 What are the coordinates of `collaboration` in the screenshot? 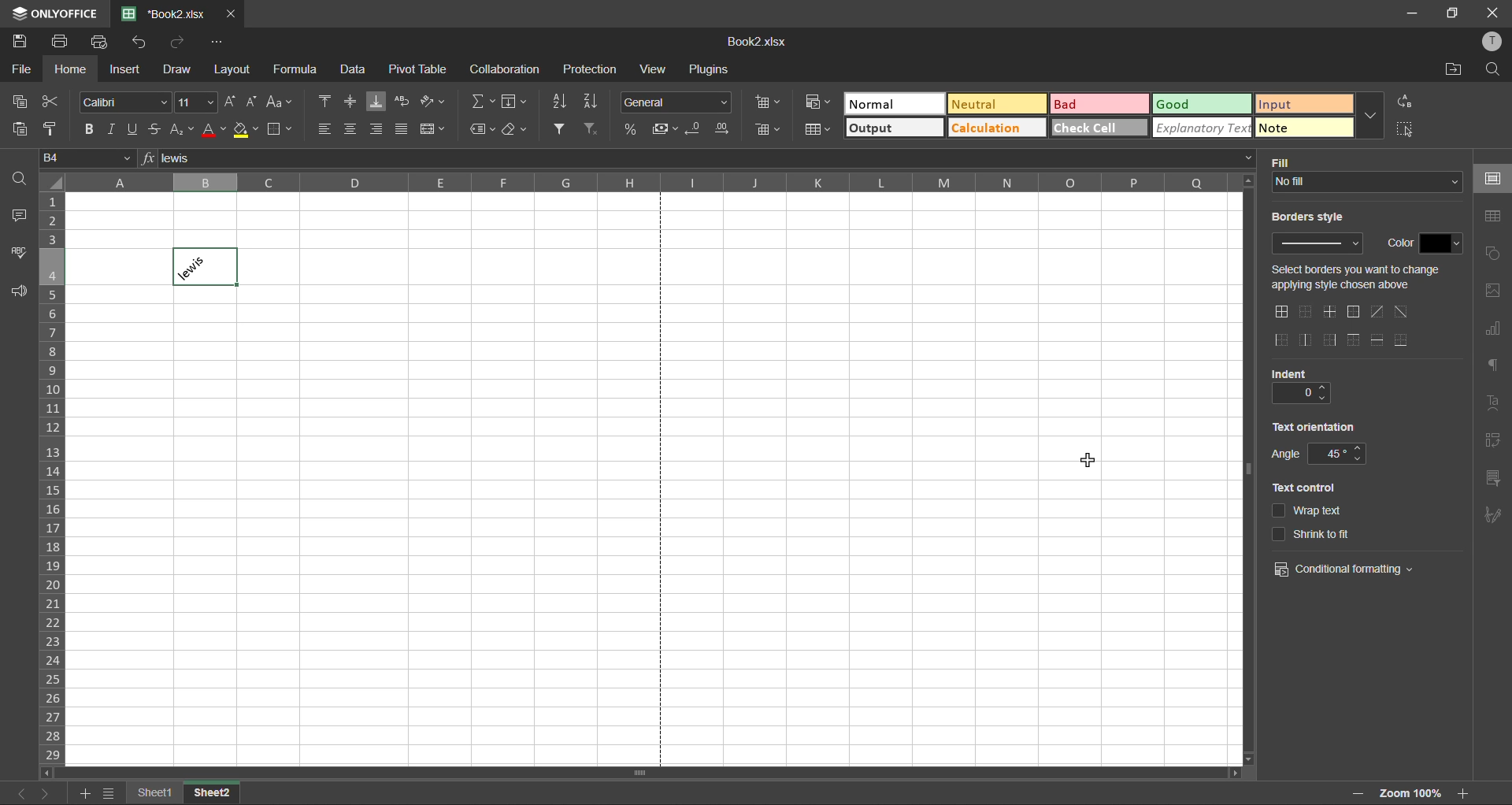 It's located at (505, 71).